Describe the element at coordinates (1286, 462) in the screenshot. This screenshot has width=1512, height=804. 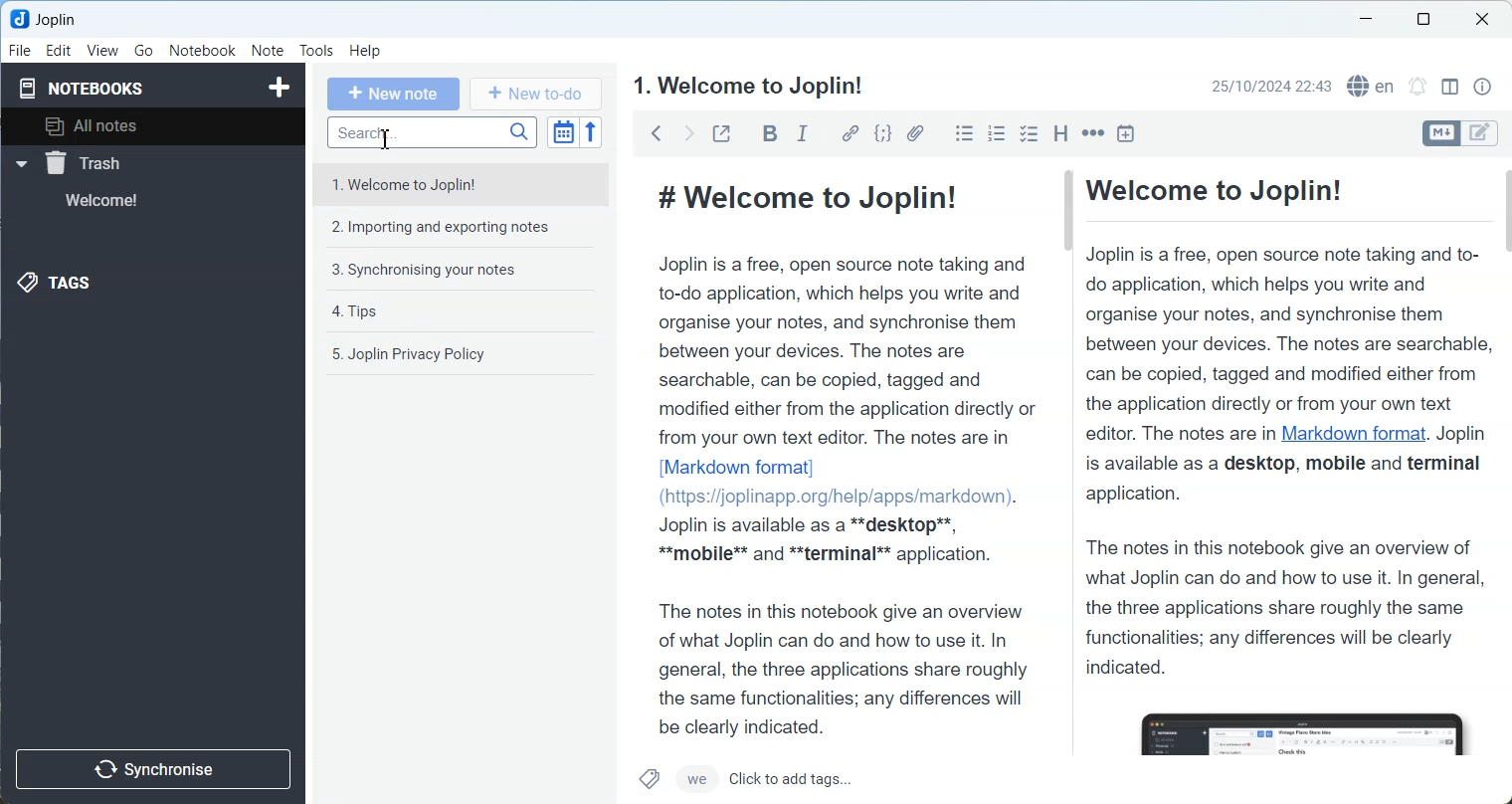
I see `Welcome to Joplin!Joplin is a free, open source note taking and to-do application, which helps you write andorganise your notes, and synchronise thembetween your devices. The notes are searchable,can be copied, tagged and modified either fromthe application directly or from your own texteditor. The notes are in Markdown format. Joplinis available as a desktop, mobile and terminalapplication.The notes in this notebook give an overview ofwhat Joplin can do and how to use it. In general,the three applications share roughly the samefunctionalities; any differences will be clearly indicated.` at that location.